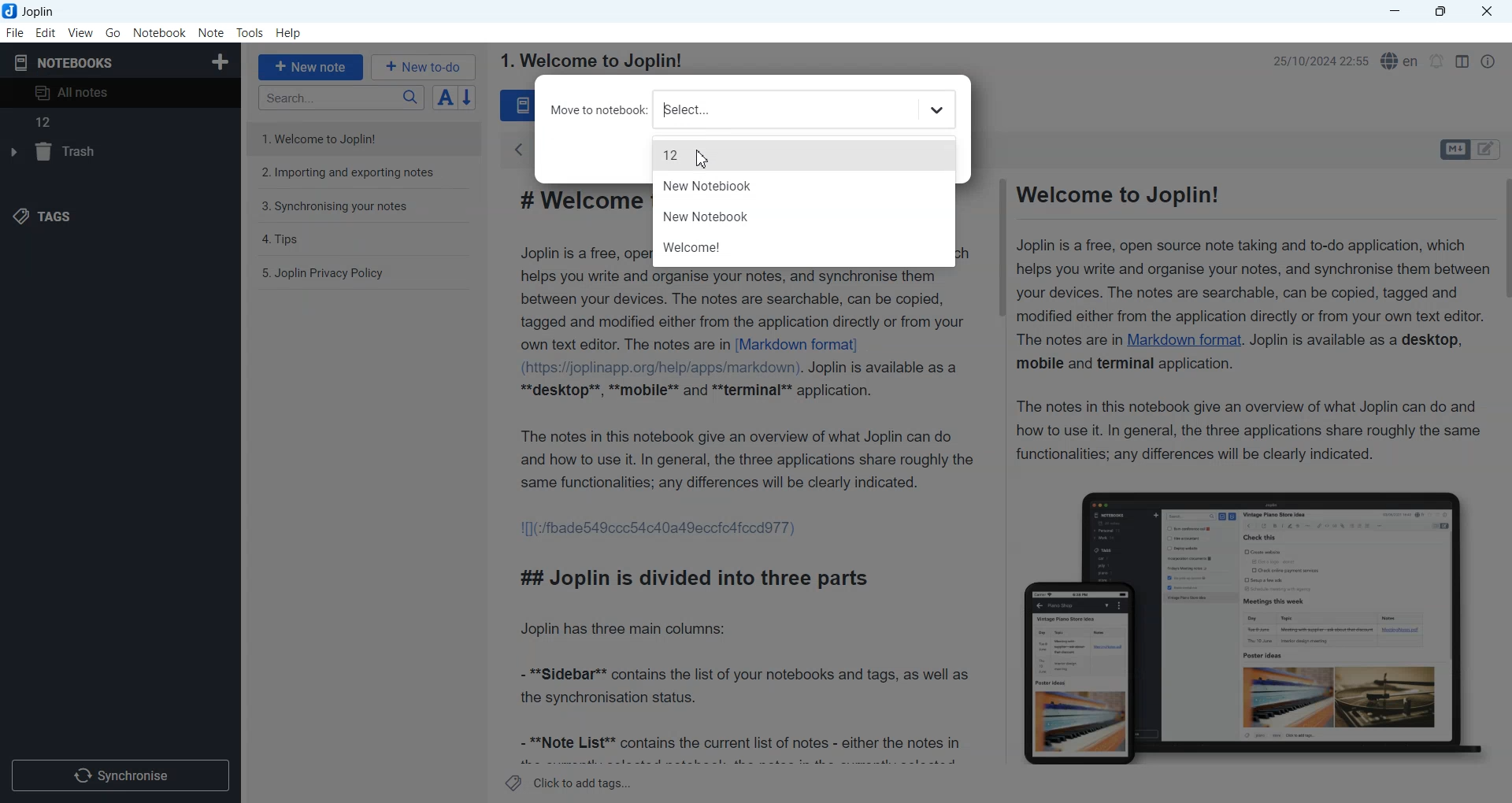 The height and width of the screenshot is (803, 1512). What do you see at coordinates (445, 97) in the screenshot?
I see `Toggle sort order field` at bounding box center [445, 97].